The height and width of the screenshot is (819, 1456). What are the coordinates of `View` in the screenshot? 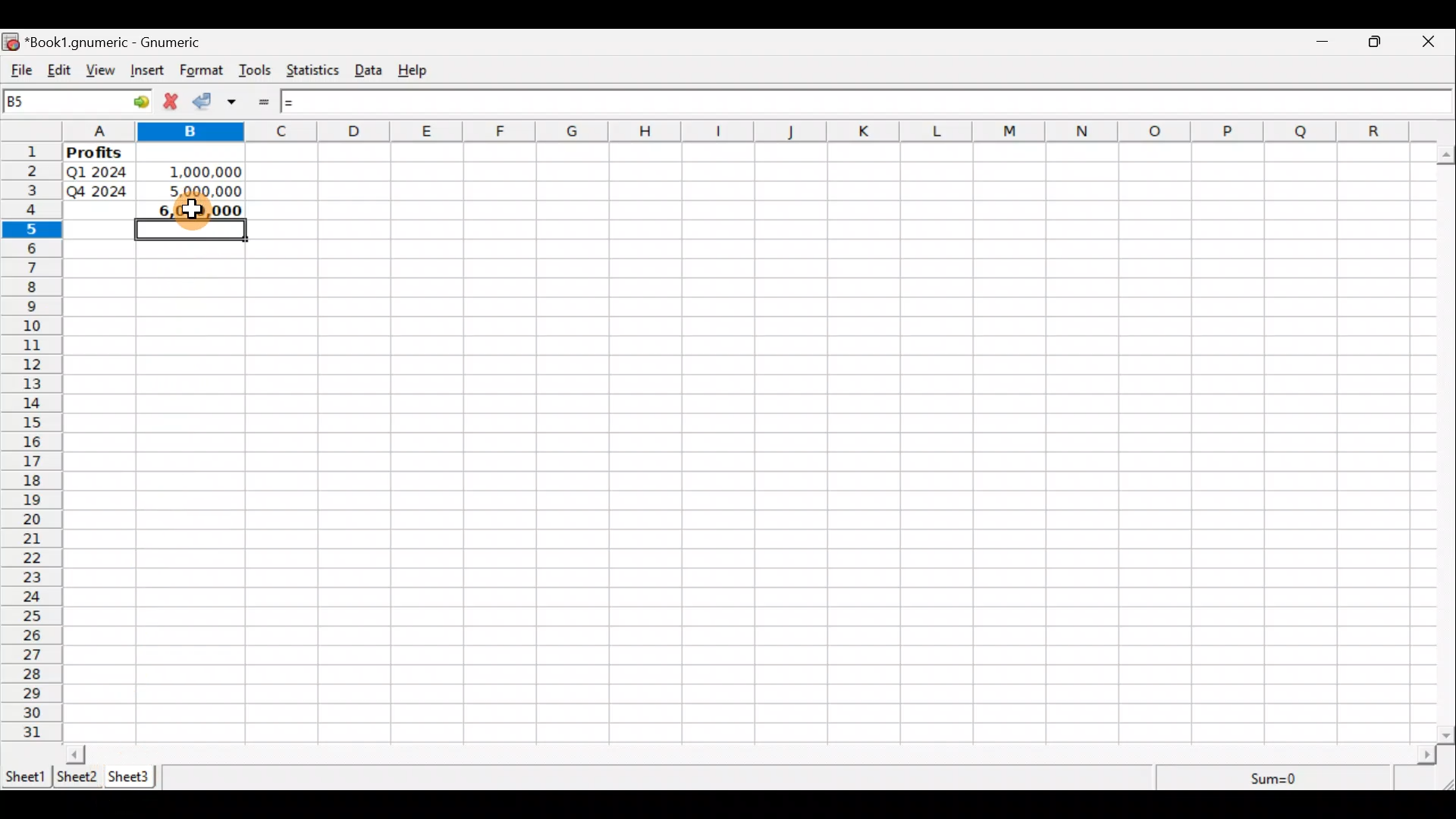 It's located at (102, 71).